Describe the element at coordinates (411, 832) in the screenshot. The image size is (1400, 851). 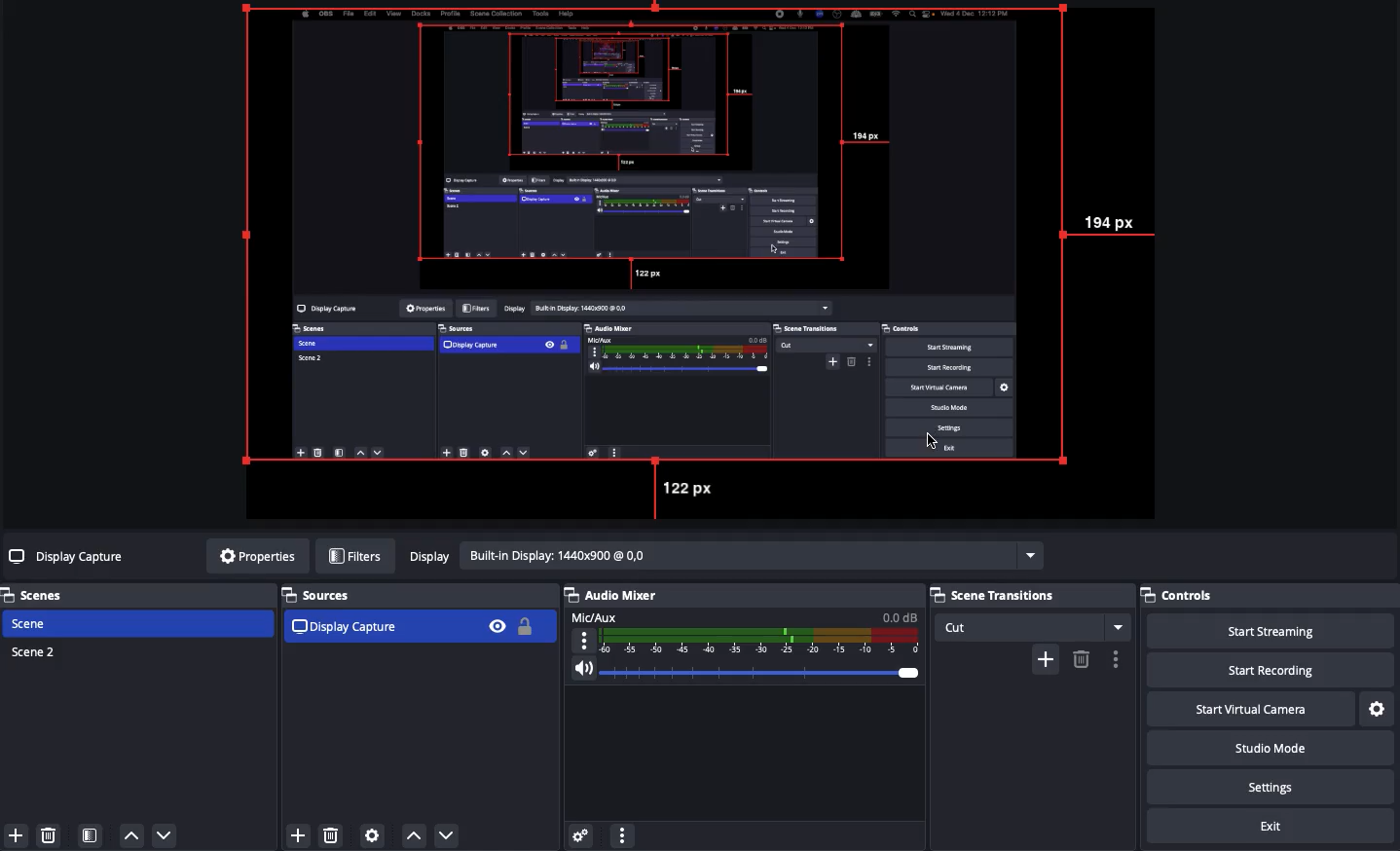
I see `Up` at that location.